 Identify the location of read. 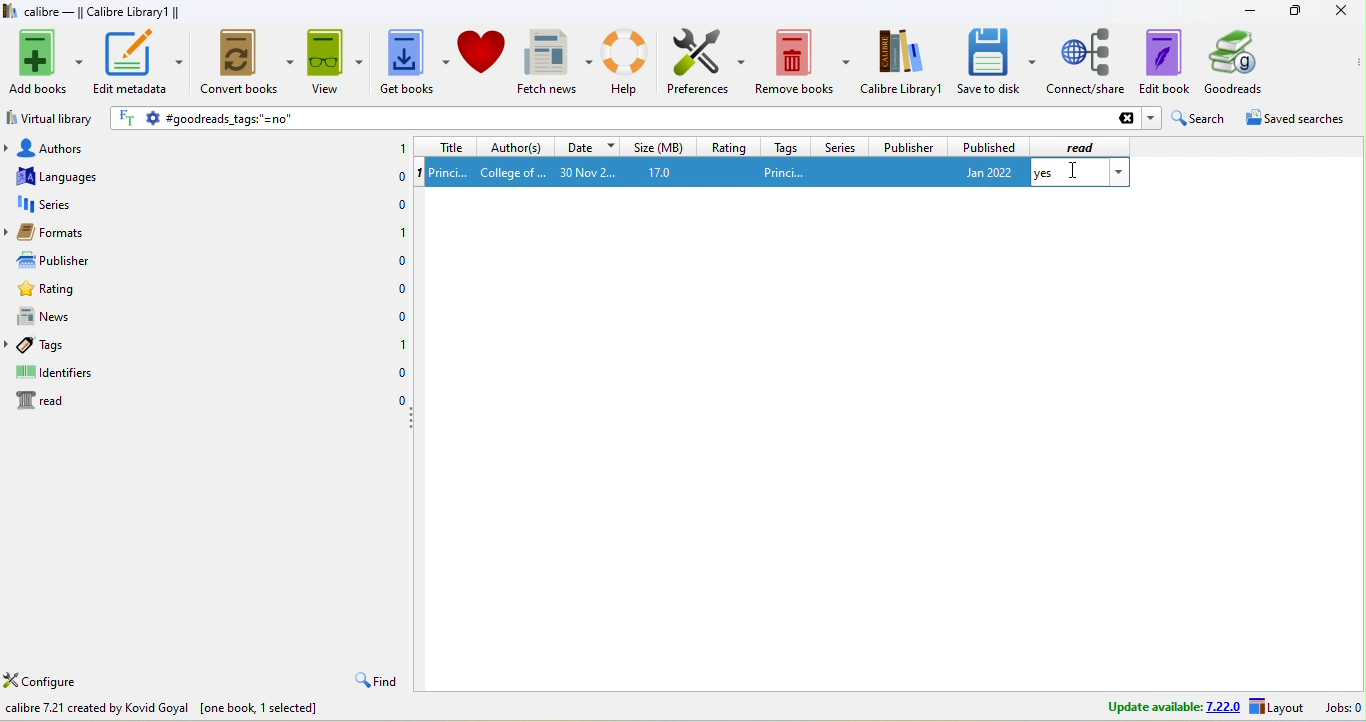
(44, 401).